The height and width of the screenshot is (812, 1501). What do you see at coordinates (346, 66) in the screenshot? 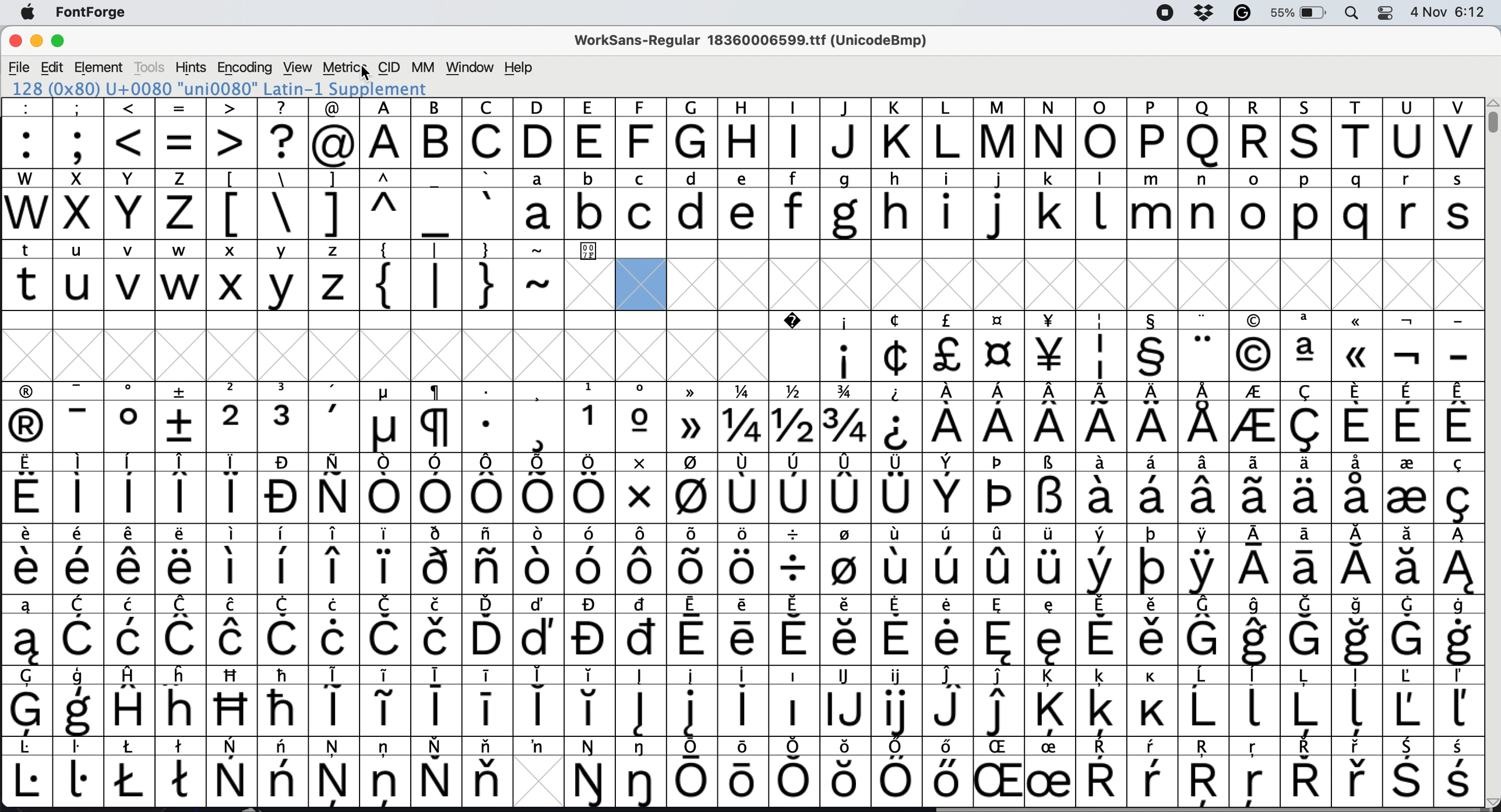
I see `Metrics` at bounding box center [346, 66].